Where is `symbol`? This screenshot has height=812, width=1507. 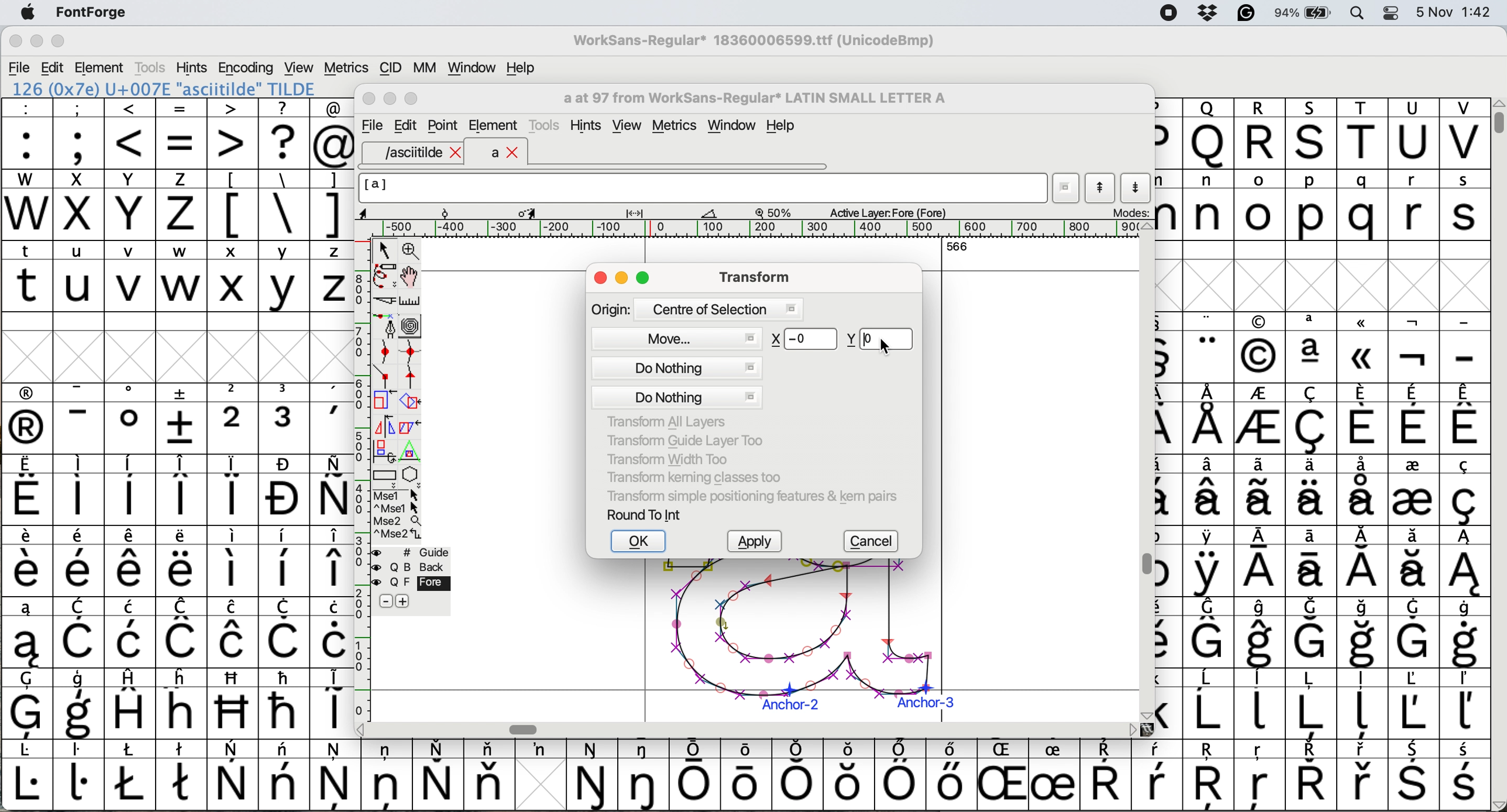 symbol is located at coordinates (331, 490).